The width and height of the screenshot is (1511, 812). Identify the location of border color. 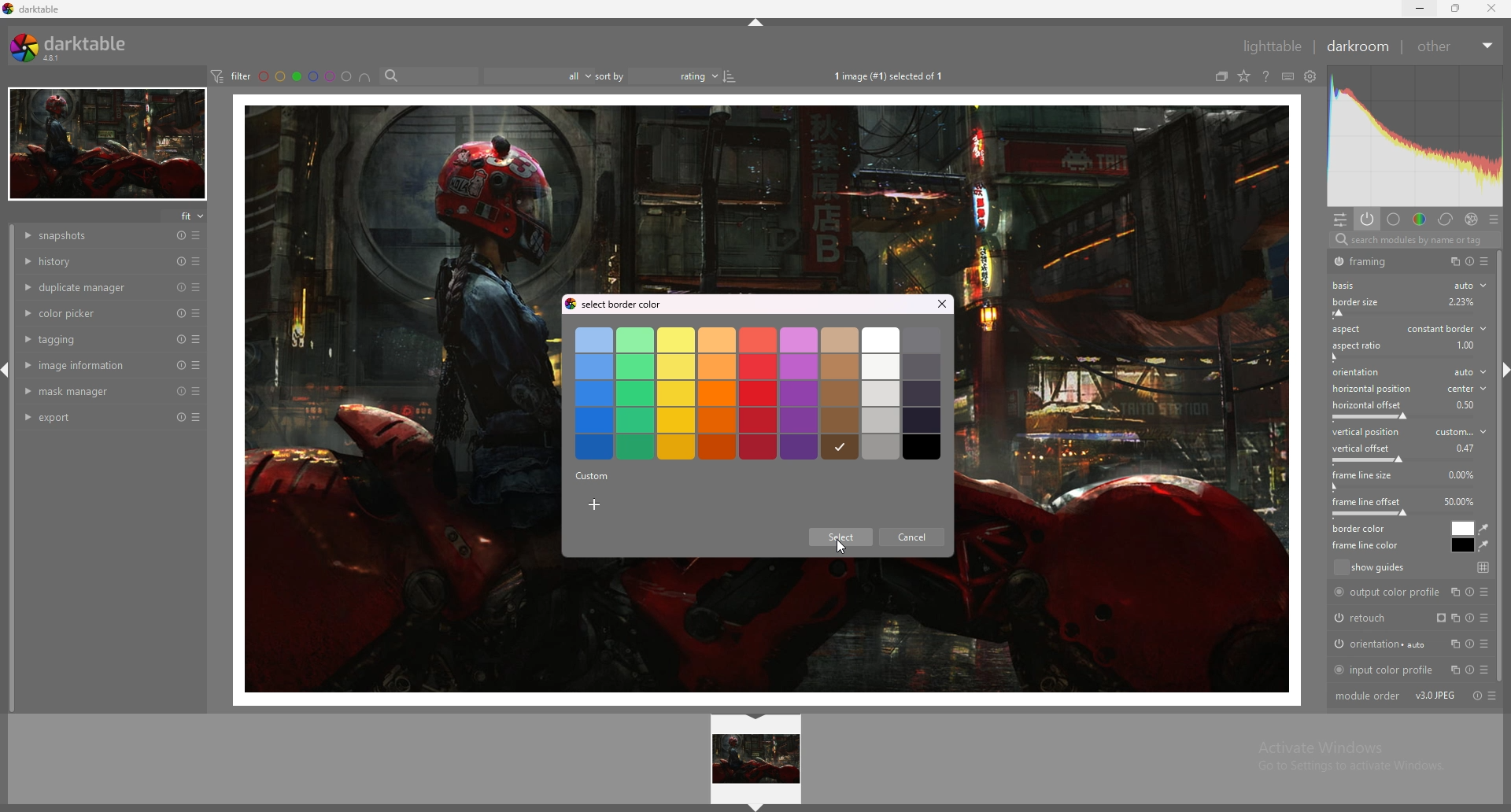
(1463, 528).